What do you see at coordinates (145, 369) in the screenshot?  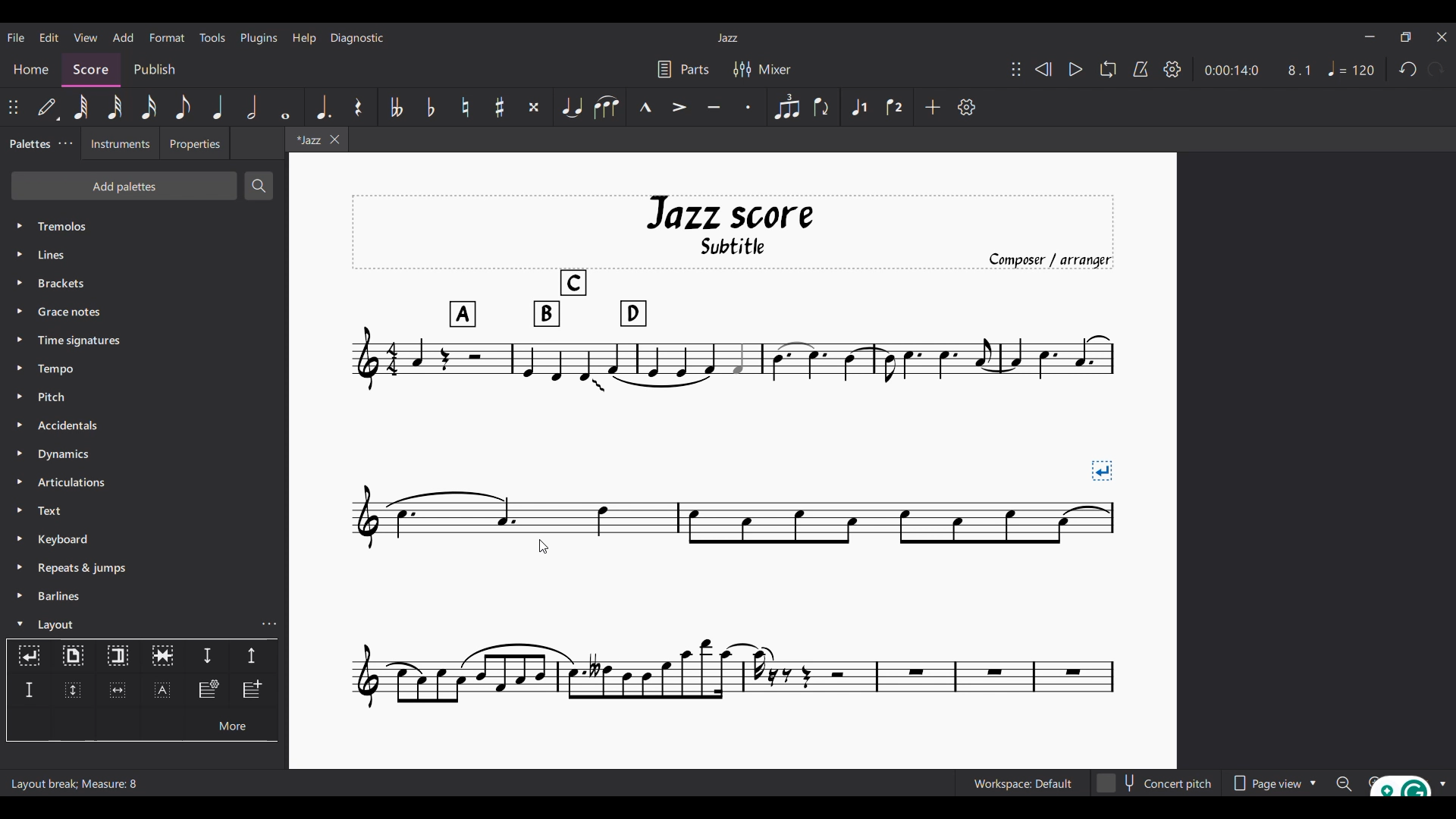 I see `Tempo` at bounding box center [145, 369].